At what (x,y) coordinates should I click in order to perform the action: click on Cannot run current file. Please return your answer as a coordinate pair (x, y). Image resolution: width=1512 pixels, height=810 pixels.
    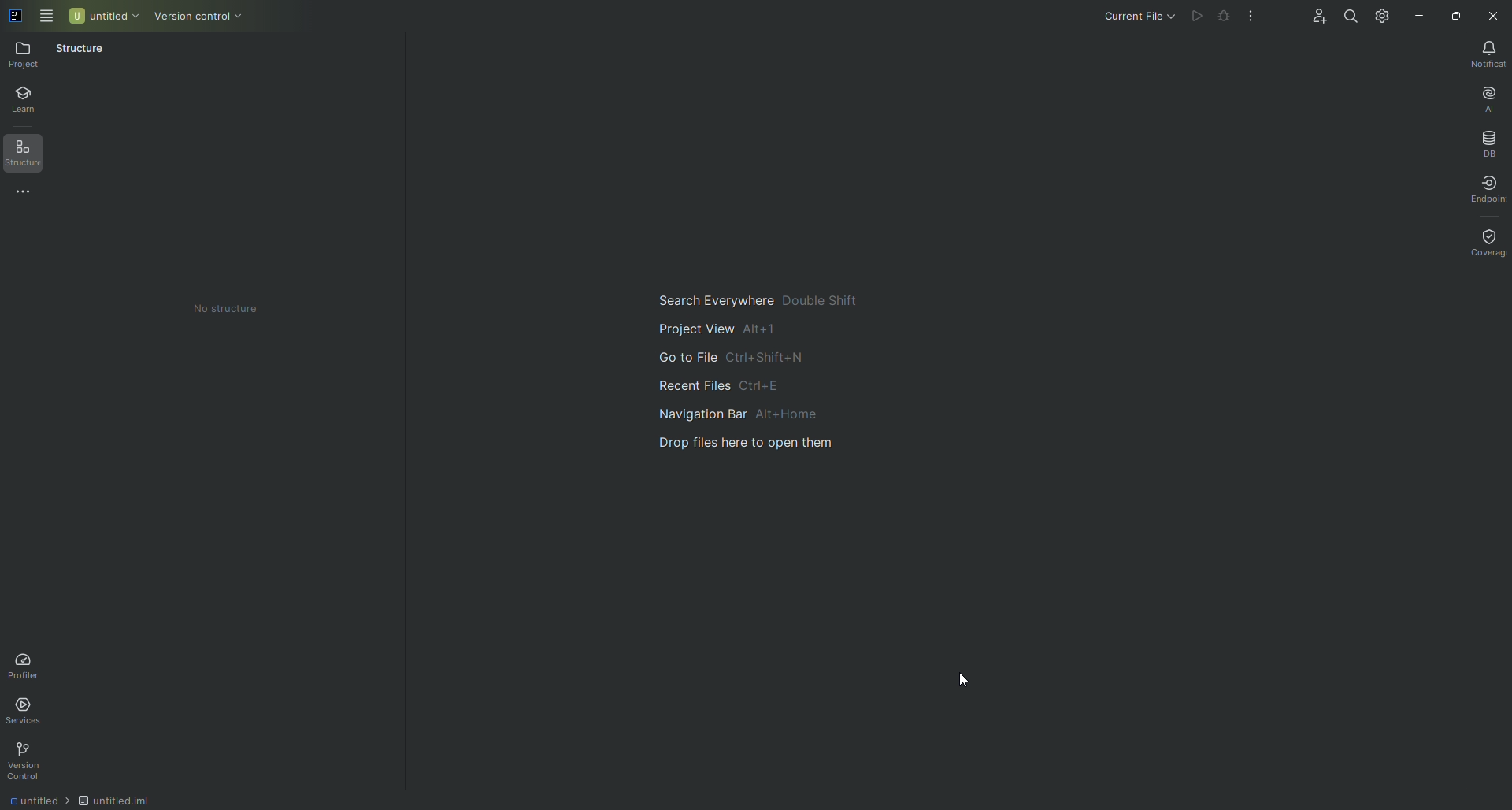
    Looking at the image, I should click on (1199, 17).